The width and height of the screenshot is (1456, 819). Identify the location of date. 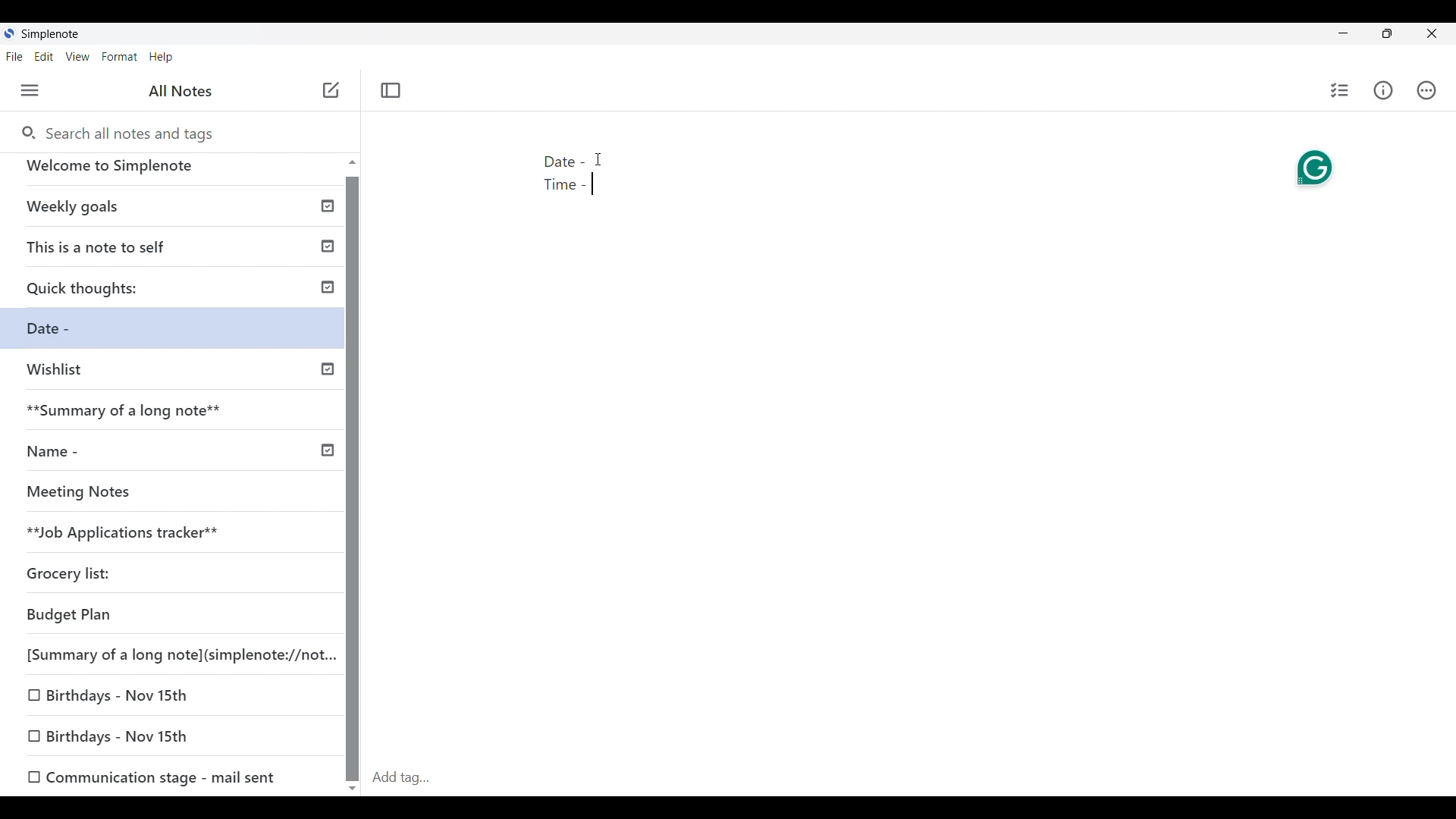
(162, 616).